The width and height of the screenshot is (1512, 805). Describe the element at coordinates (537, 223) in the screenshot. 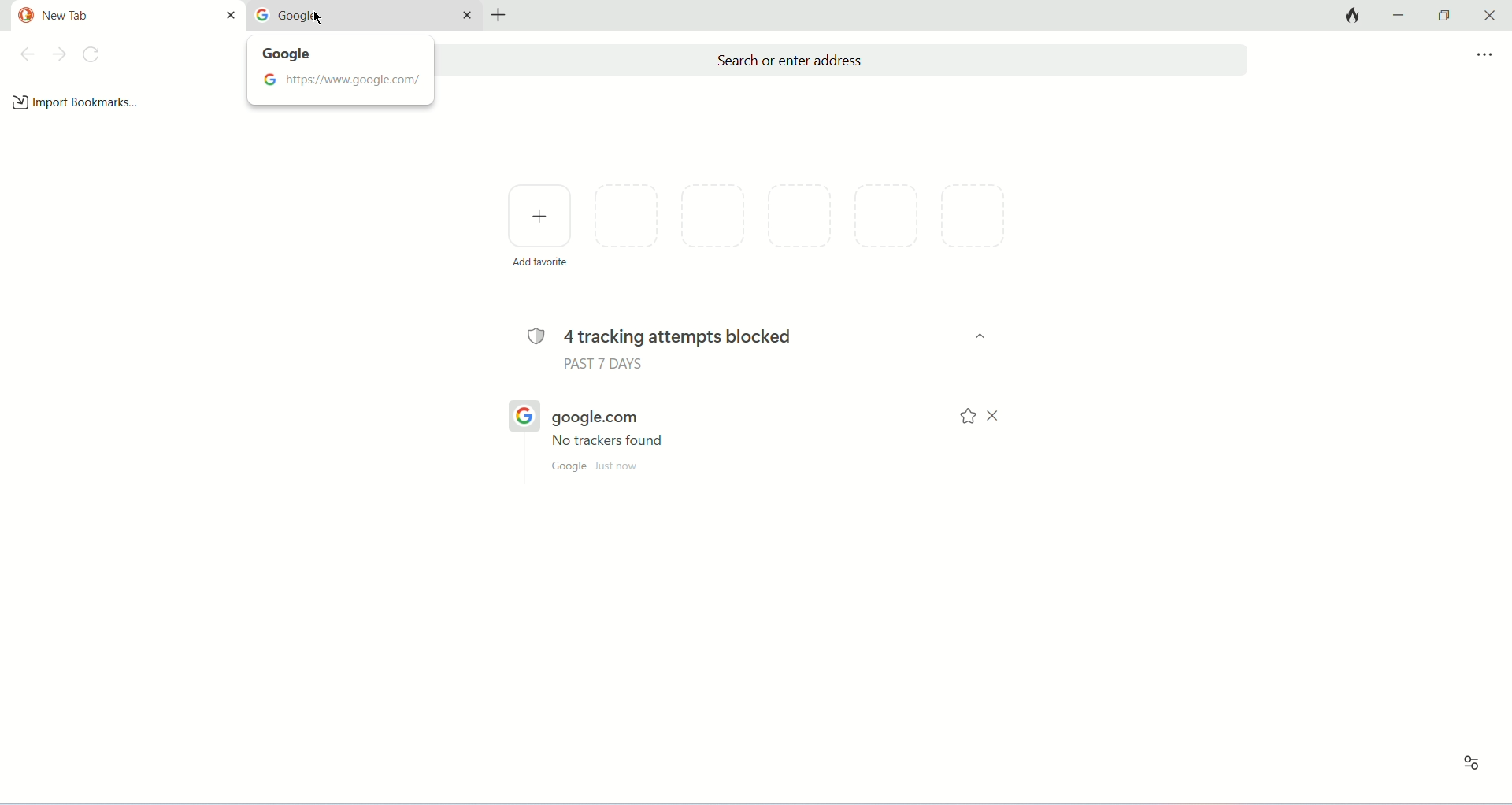

I see `add favorite` at that location.